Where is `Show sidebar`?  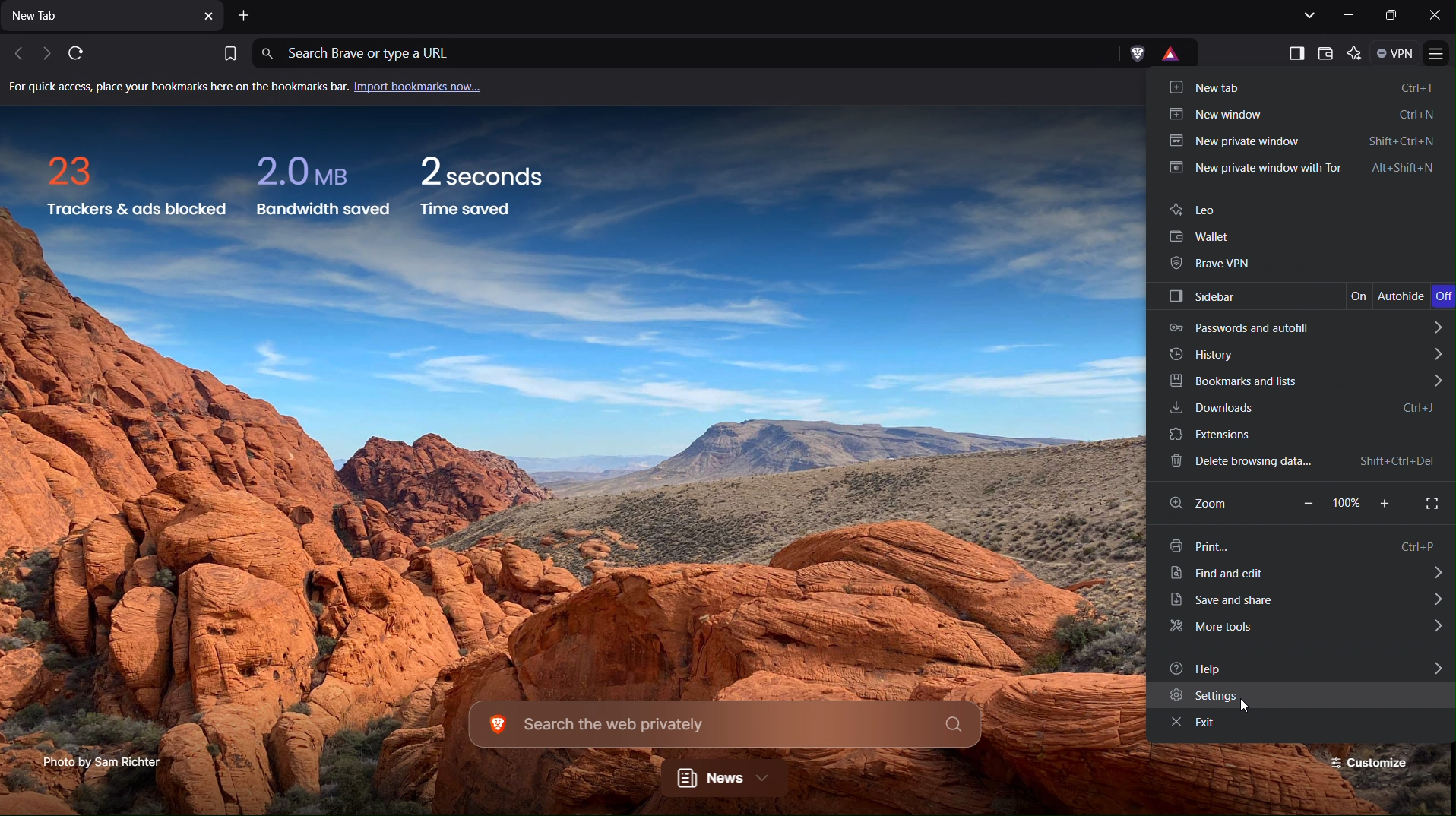
Show sidebar is located at coordinates (1296, 54).